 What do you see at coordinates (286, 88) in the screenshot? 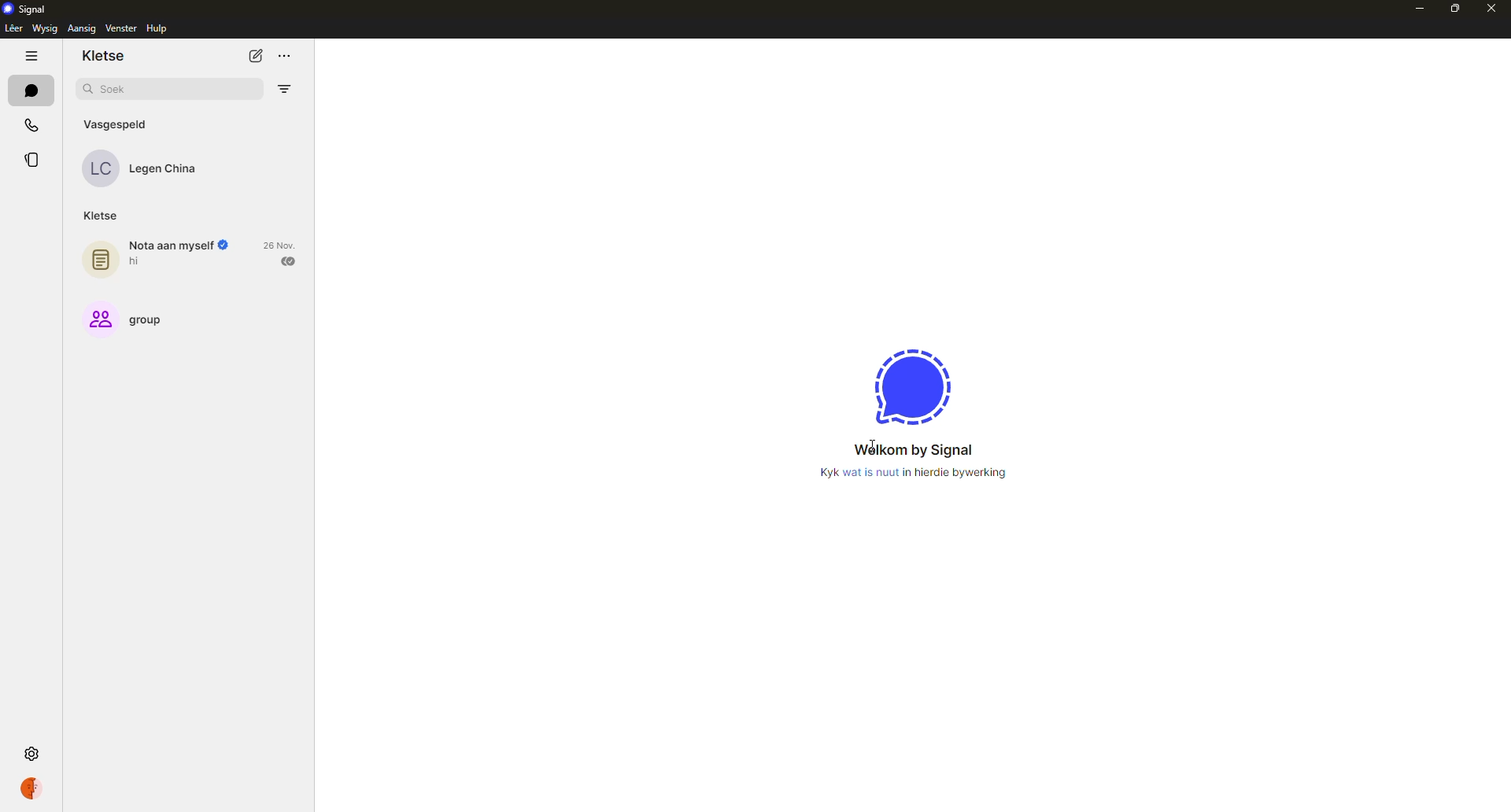
I see `filter` at bounding box center [286, 88].